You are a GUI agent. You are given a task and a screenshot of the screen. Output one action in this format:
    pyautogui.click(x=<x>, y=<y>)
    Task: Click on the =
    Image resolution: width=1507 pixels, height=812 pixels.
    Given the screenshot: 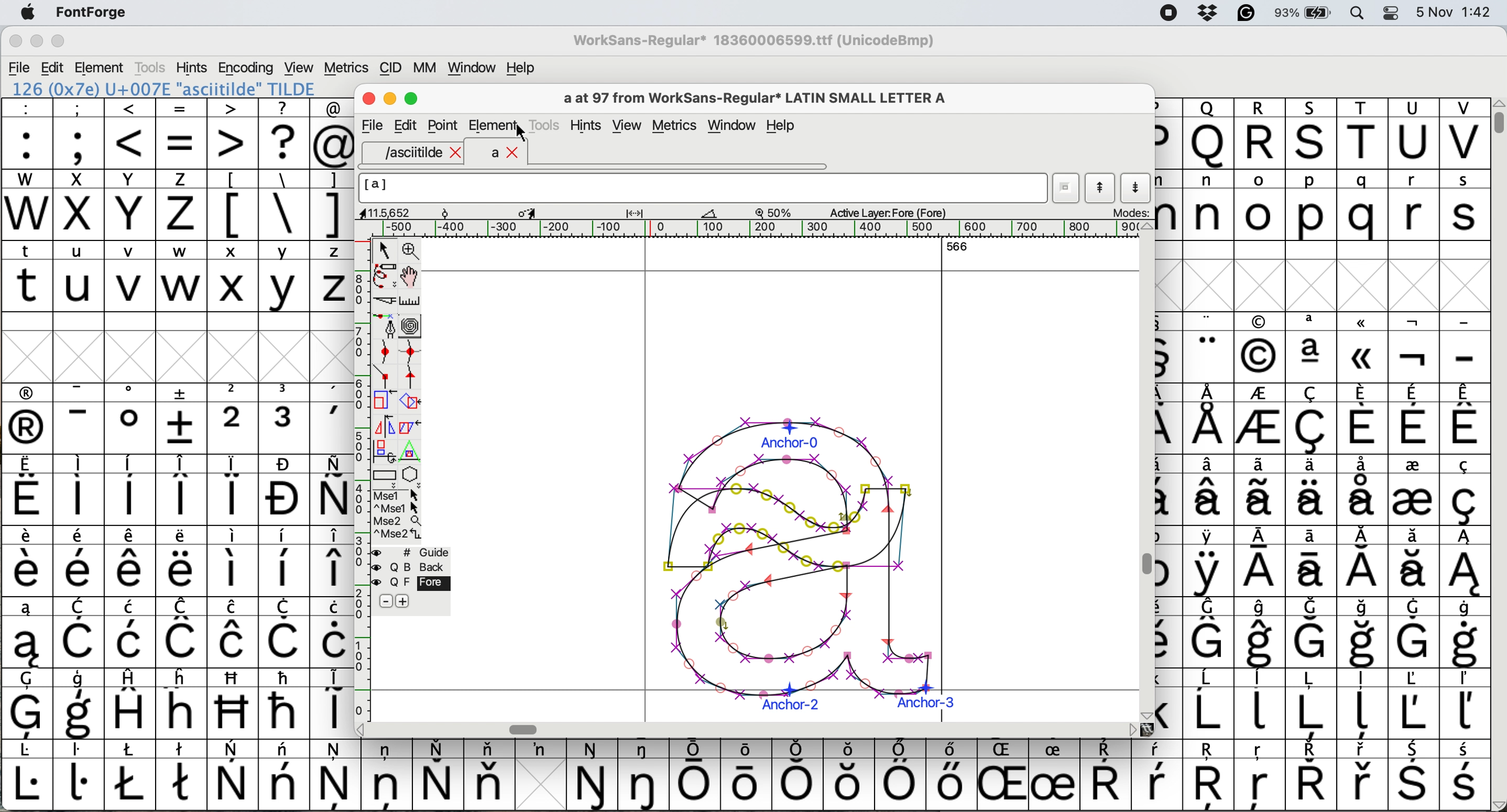 What is the action you would take?
    pyautogui.click(x=183, y=134)
    